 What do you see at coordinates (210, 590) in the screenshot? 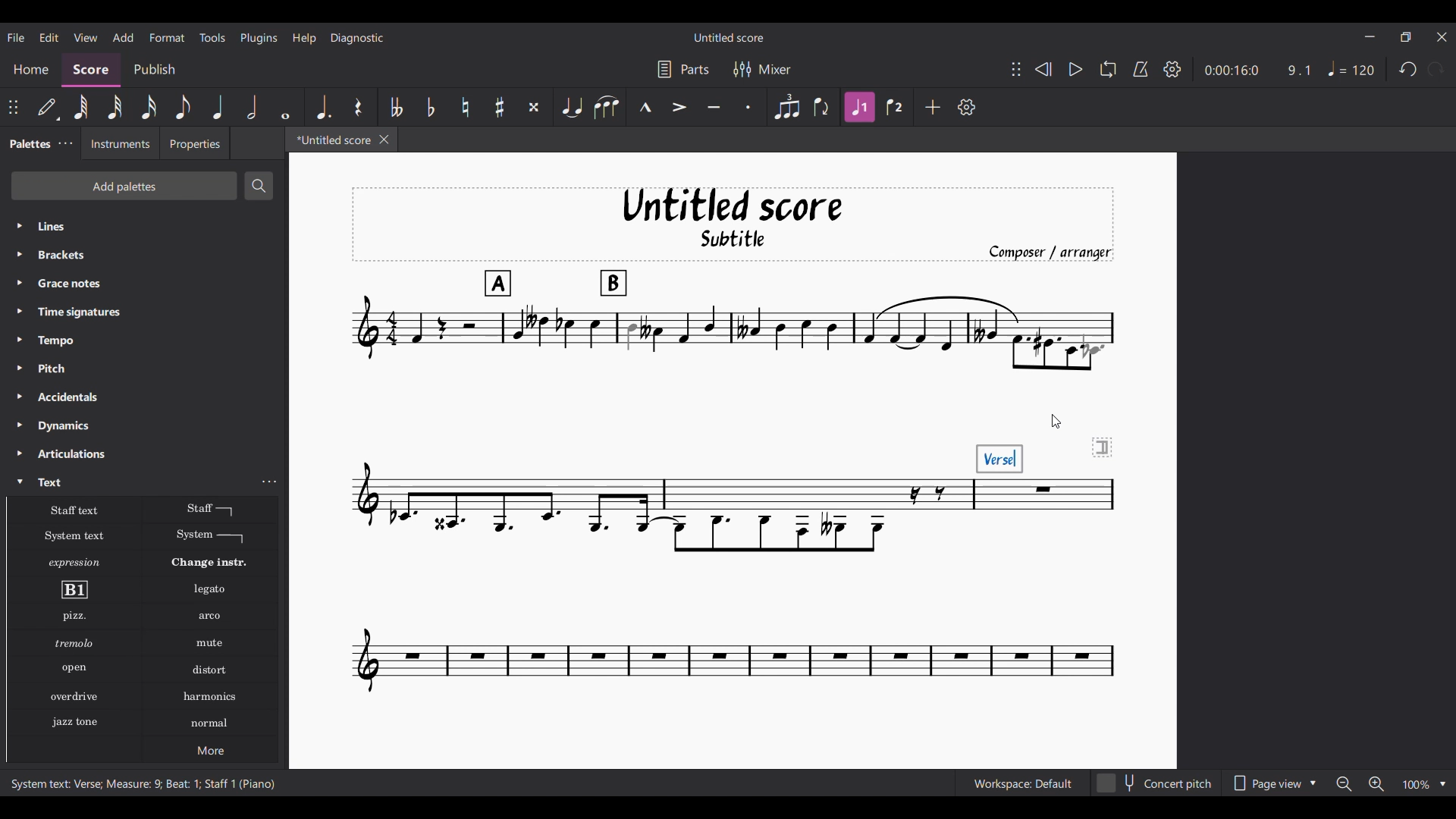
I see `Legato` at bounding box center [210, 590].